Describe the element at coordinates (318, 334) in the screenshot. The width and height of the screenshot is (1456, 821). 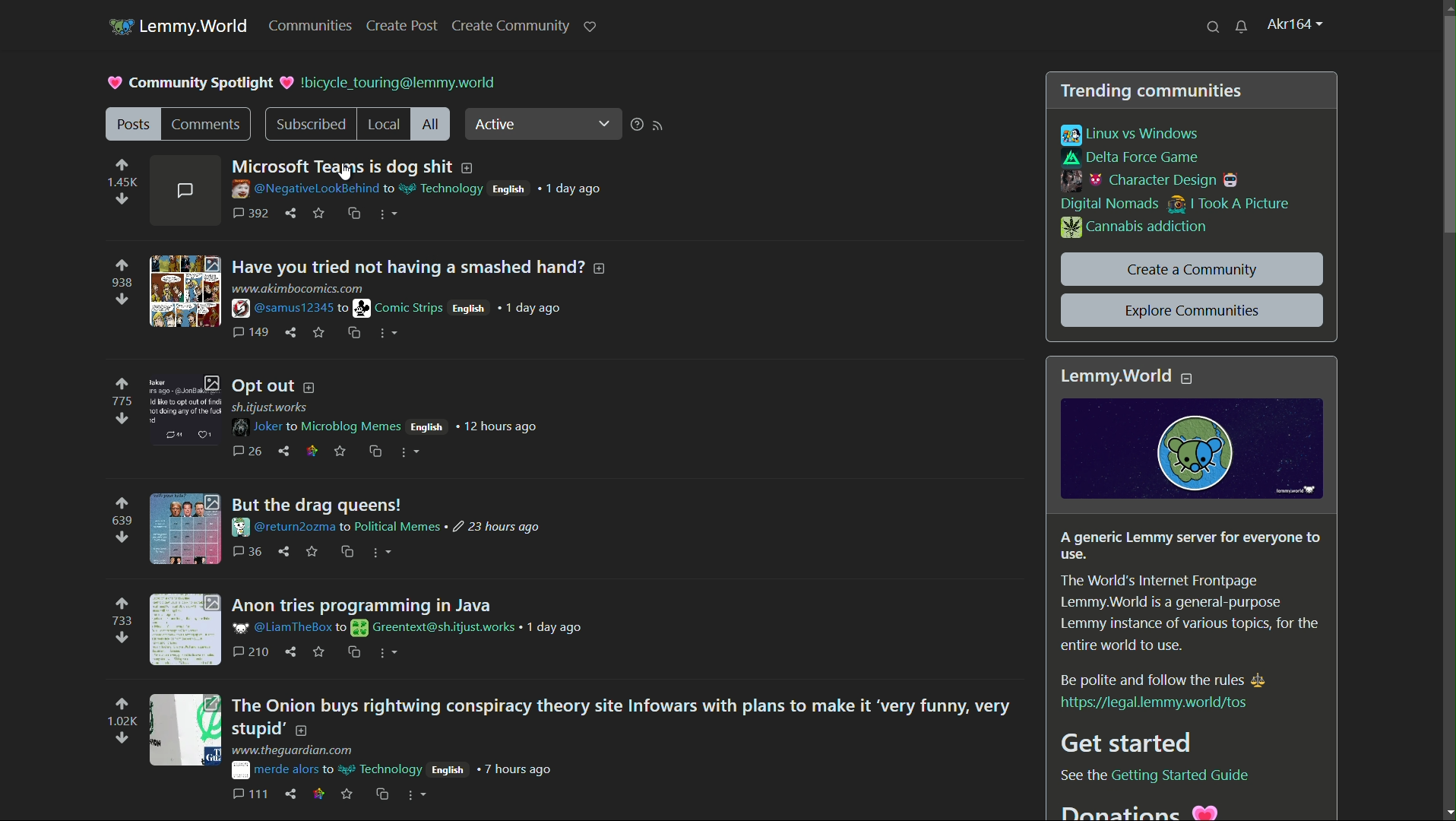
I see `save` at that location.